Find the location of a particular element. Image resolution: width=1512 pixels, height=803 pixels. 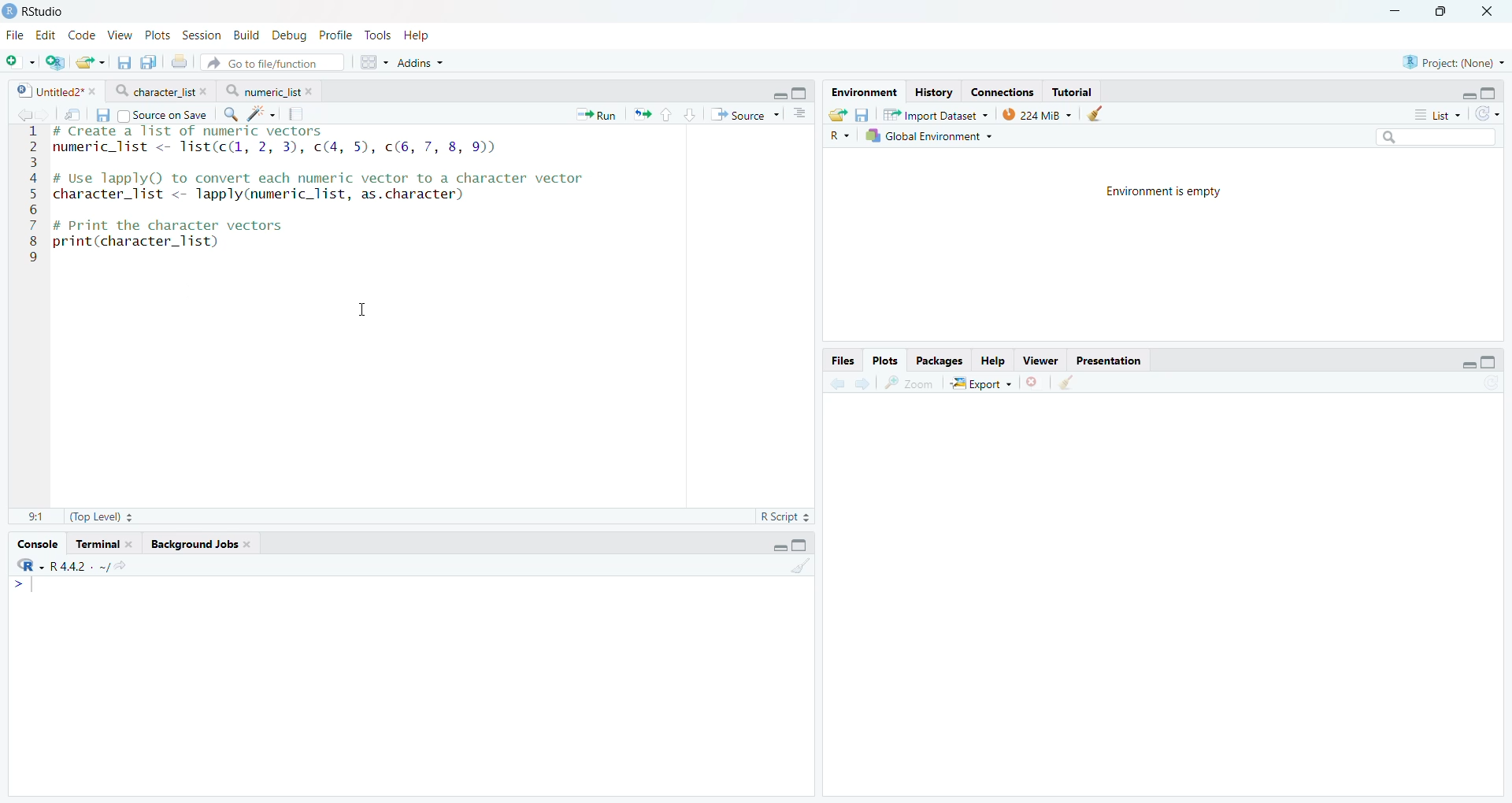

Files is located at coordinates (843, 360).